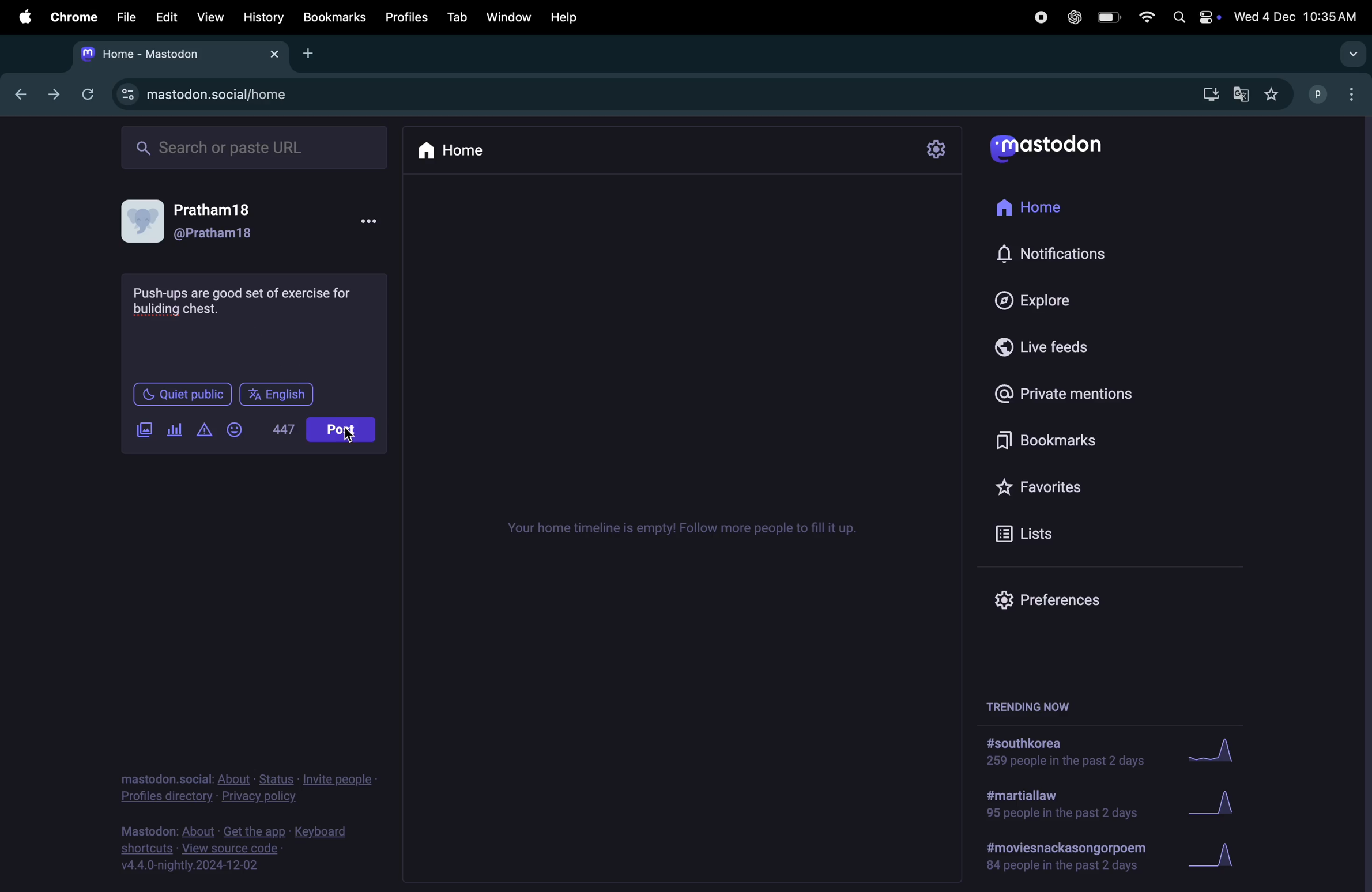  I want to click on Notifications, so click(1053, 255).